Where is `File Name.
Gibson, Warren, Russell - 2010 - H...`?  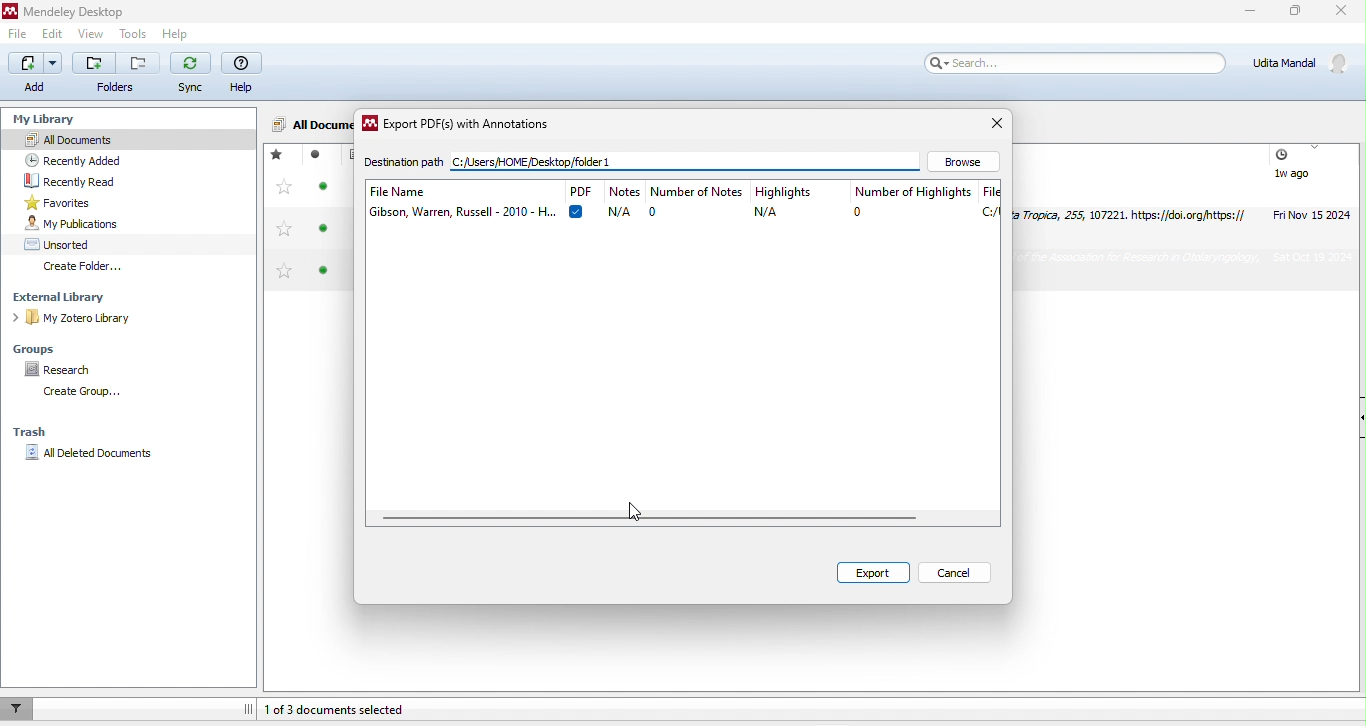
File Name.
Gibson, Warren, Russell - 2010 - H... is located at coordinates (461, 200).